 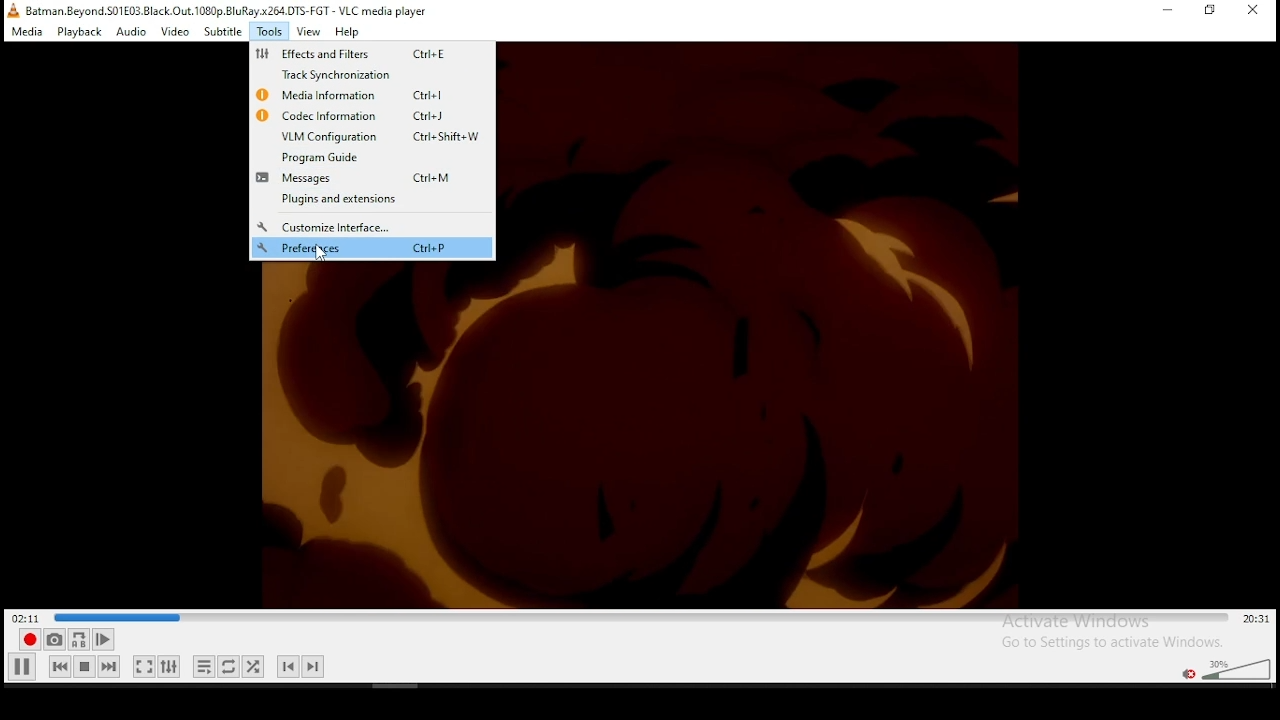 I want to click on previous chapter, so click(x=287, y=667).